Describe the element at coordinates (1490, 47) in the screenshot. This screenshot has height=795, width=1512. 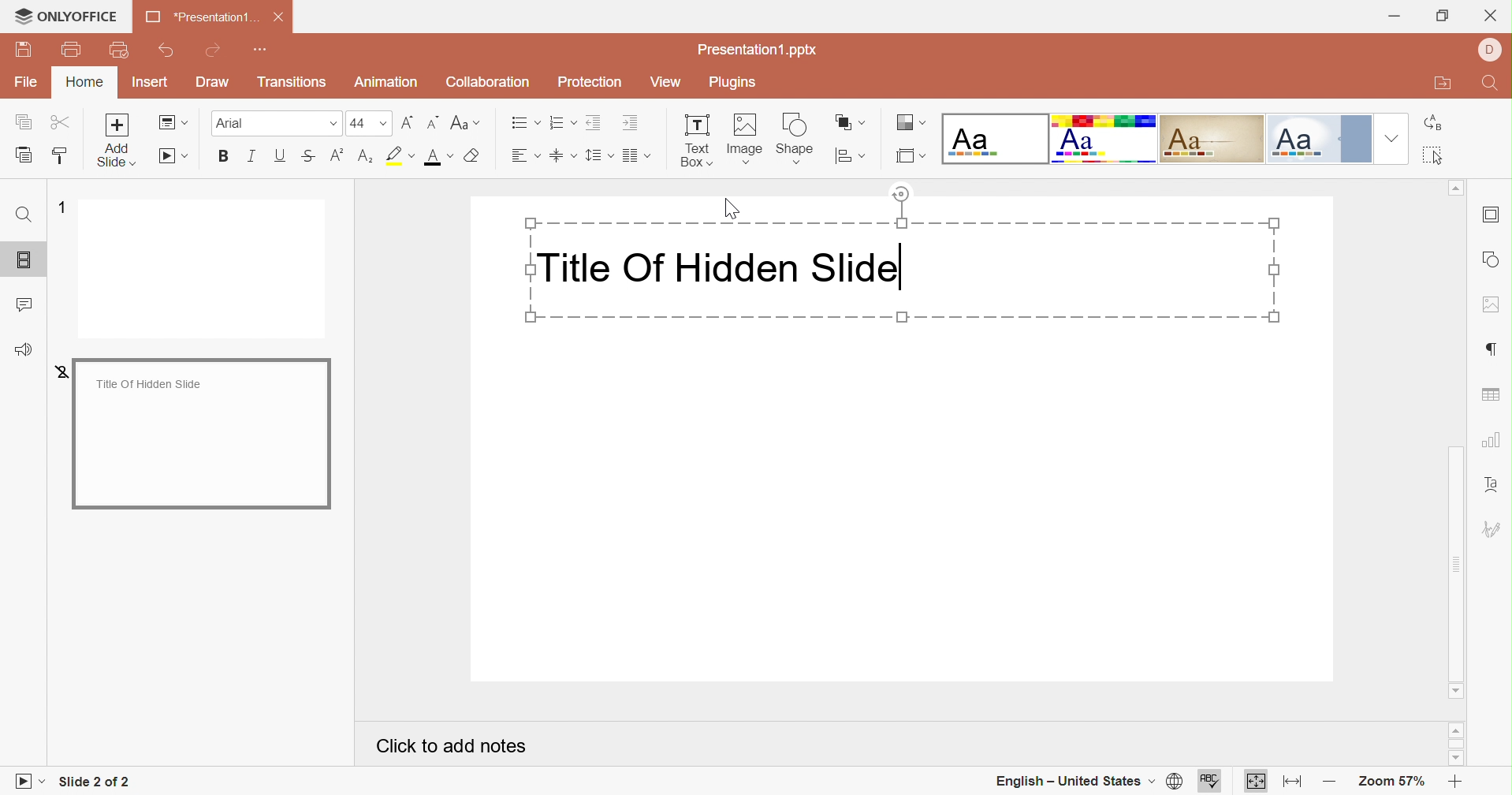
I see `profile` at that location.